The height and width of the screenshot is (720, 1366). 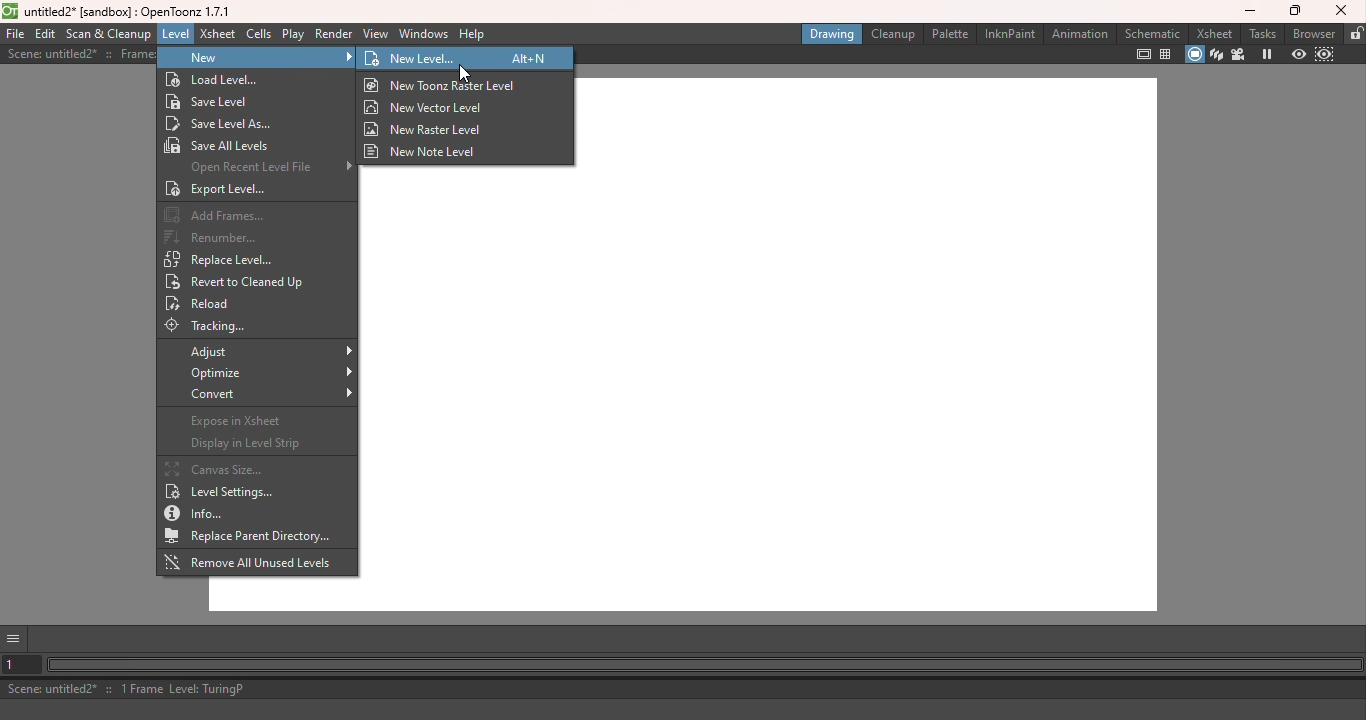 What do you see at coordinates (376, 35) in the screenshot?
I see `View` at bounding box center [376, 35].